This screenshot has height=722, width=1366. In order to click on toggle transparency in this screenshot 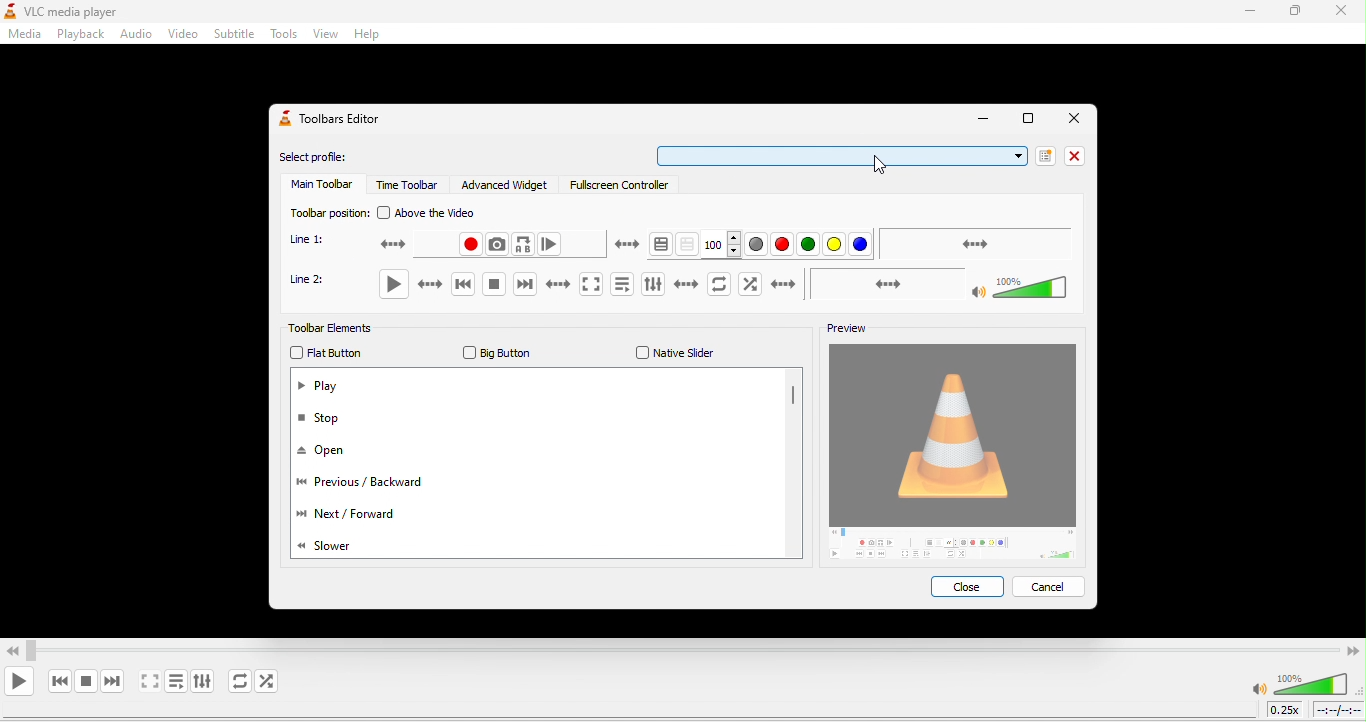, I will do `click(689, 244)`.